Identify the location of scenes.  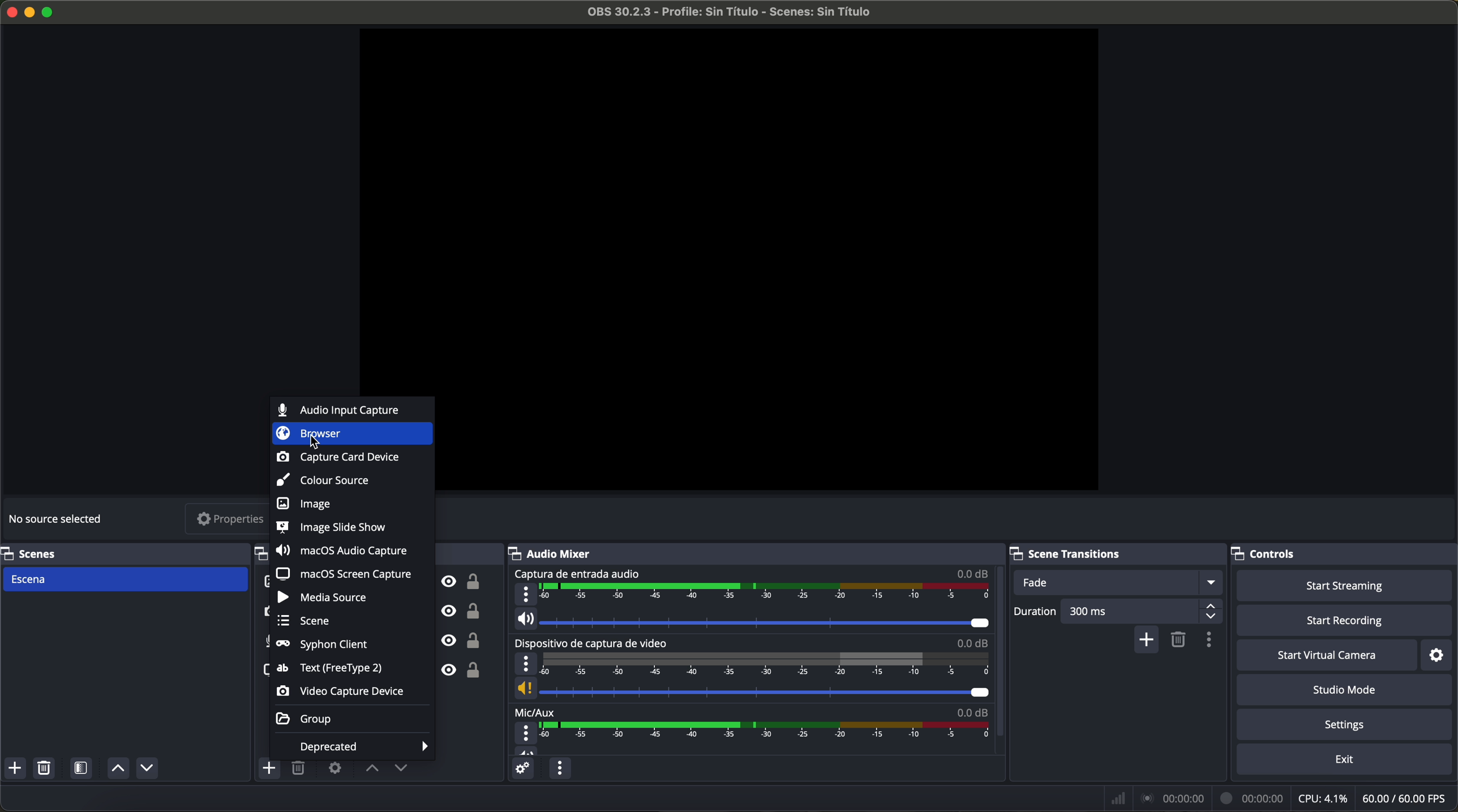
(40, 554).